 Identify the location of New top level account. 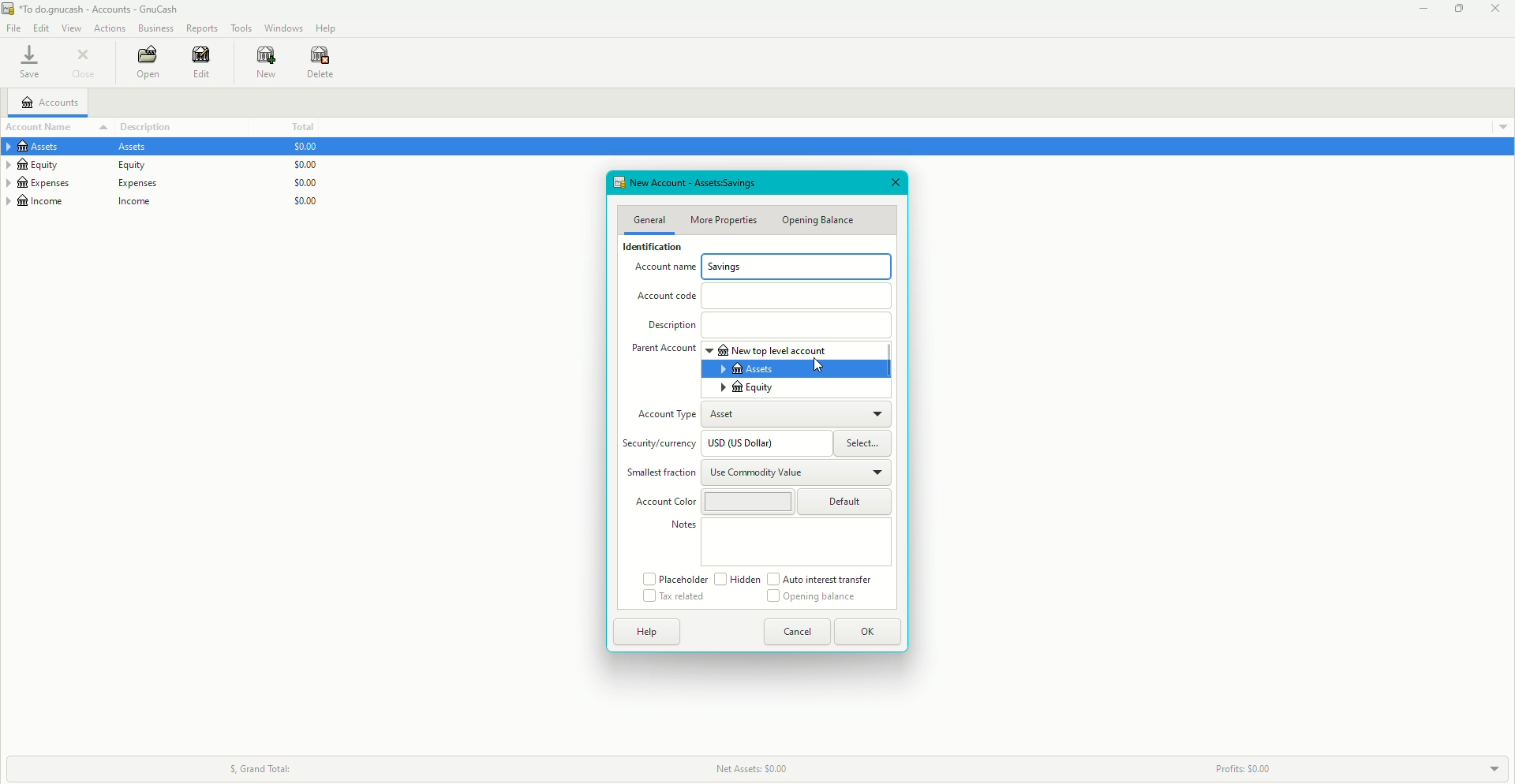
(772, 350).